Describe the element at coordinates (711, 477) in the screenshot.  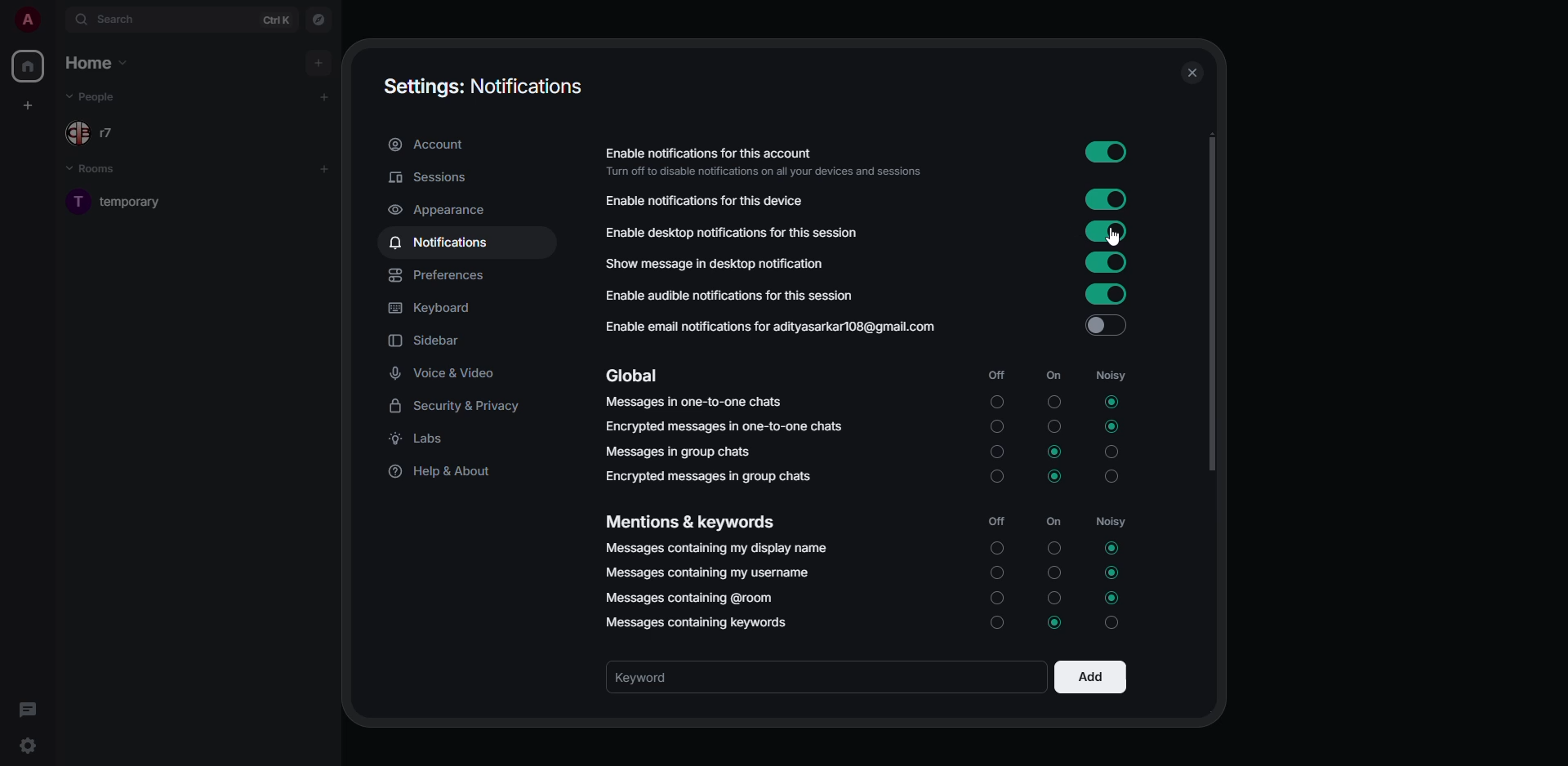
I see `encrypted messages in group chat` at that location.